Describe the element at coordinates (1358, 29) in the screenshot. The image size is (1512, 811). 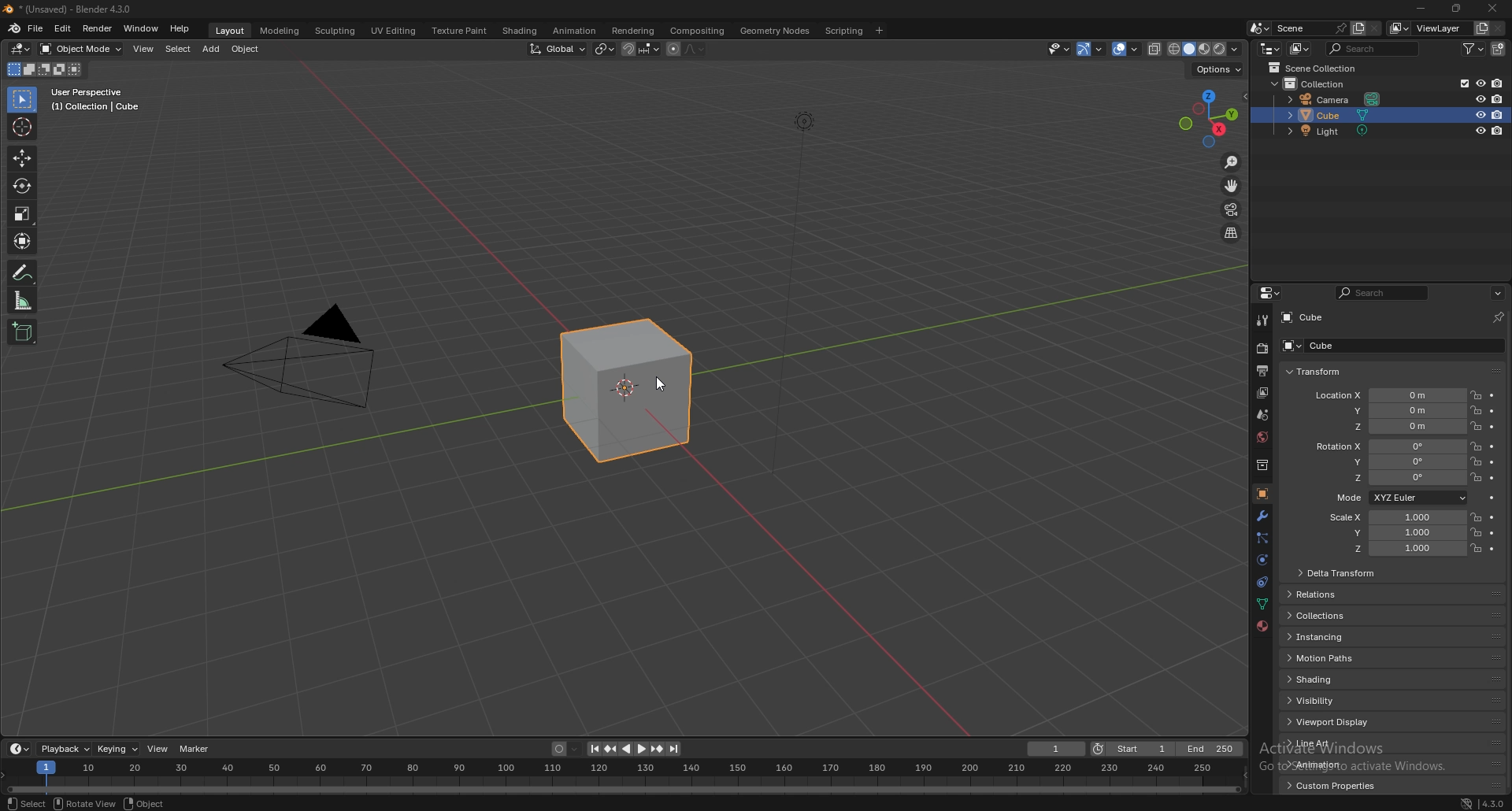
I see `new scene` at that location.